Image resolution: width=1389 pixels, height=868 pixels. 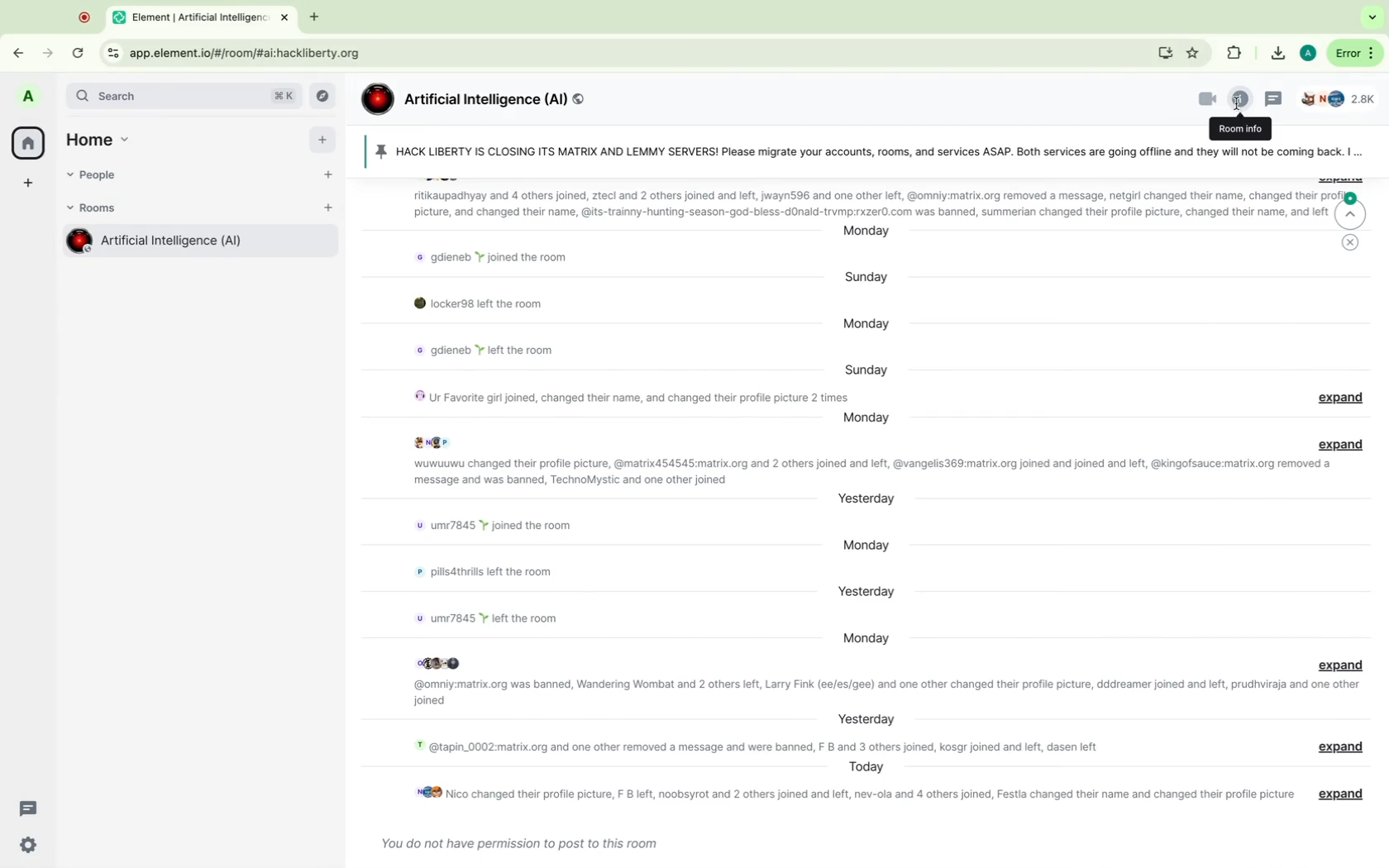 What do you see at coordinates (326, 97) in the screenshot?
I see `explore rooms` at bounding box center [326, 97].